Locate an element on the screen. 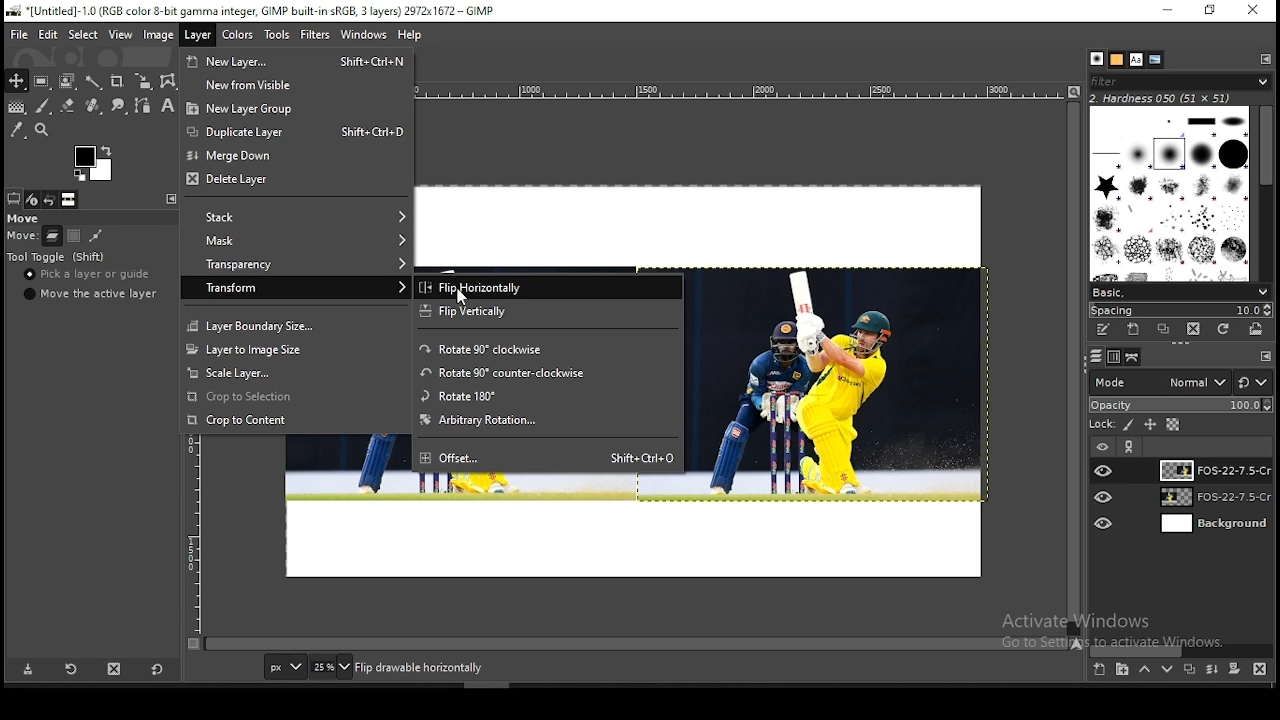 This screenshot has width=1280, height=720. filters is located at coordinates (316, 35).